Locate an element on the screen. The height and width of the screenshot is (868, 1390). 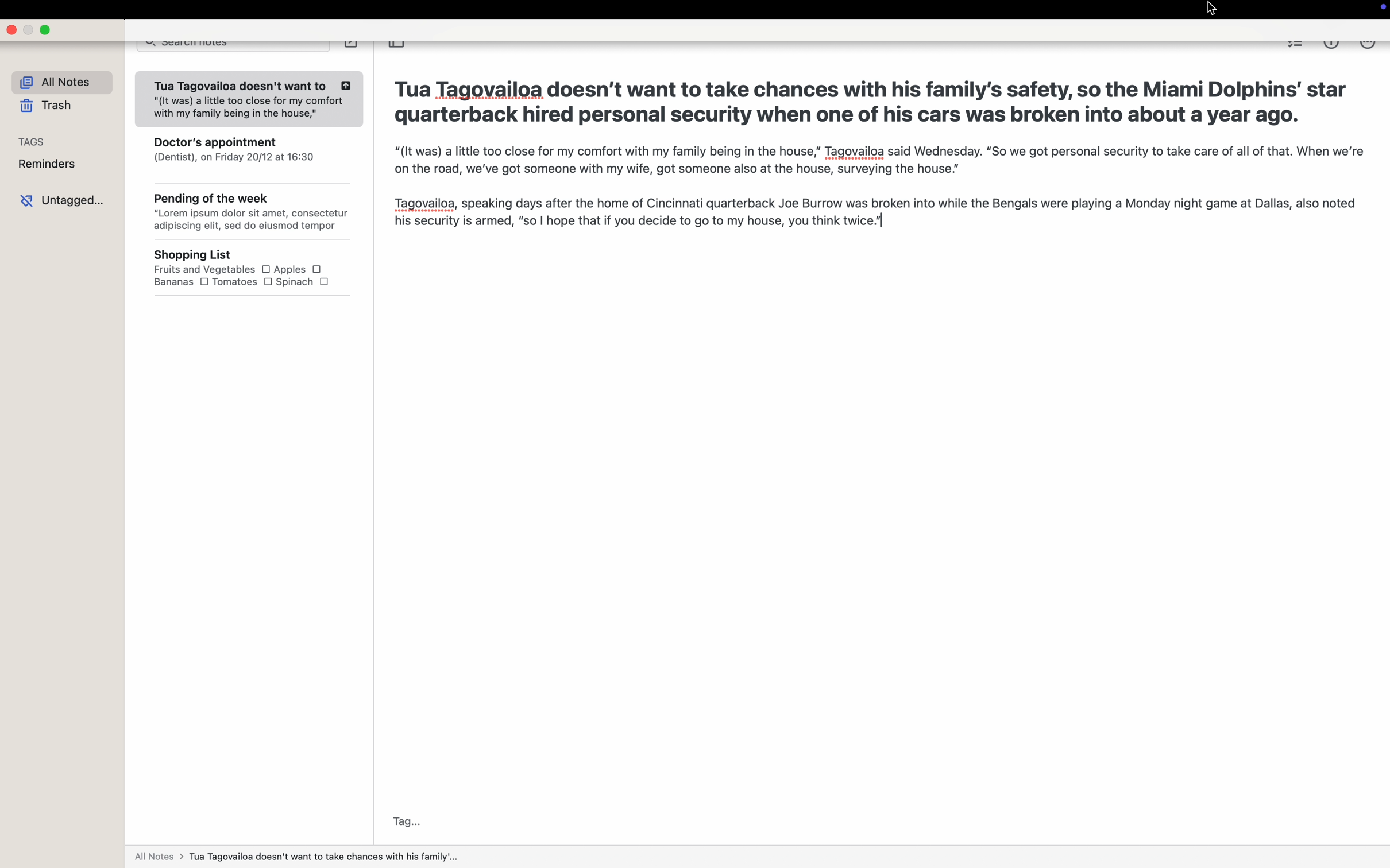
all notes is located at coordinates (57, 80).